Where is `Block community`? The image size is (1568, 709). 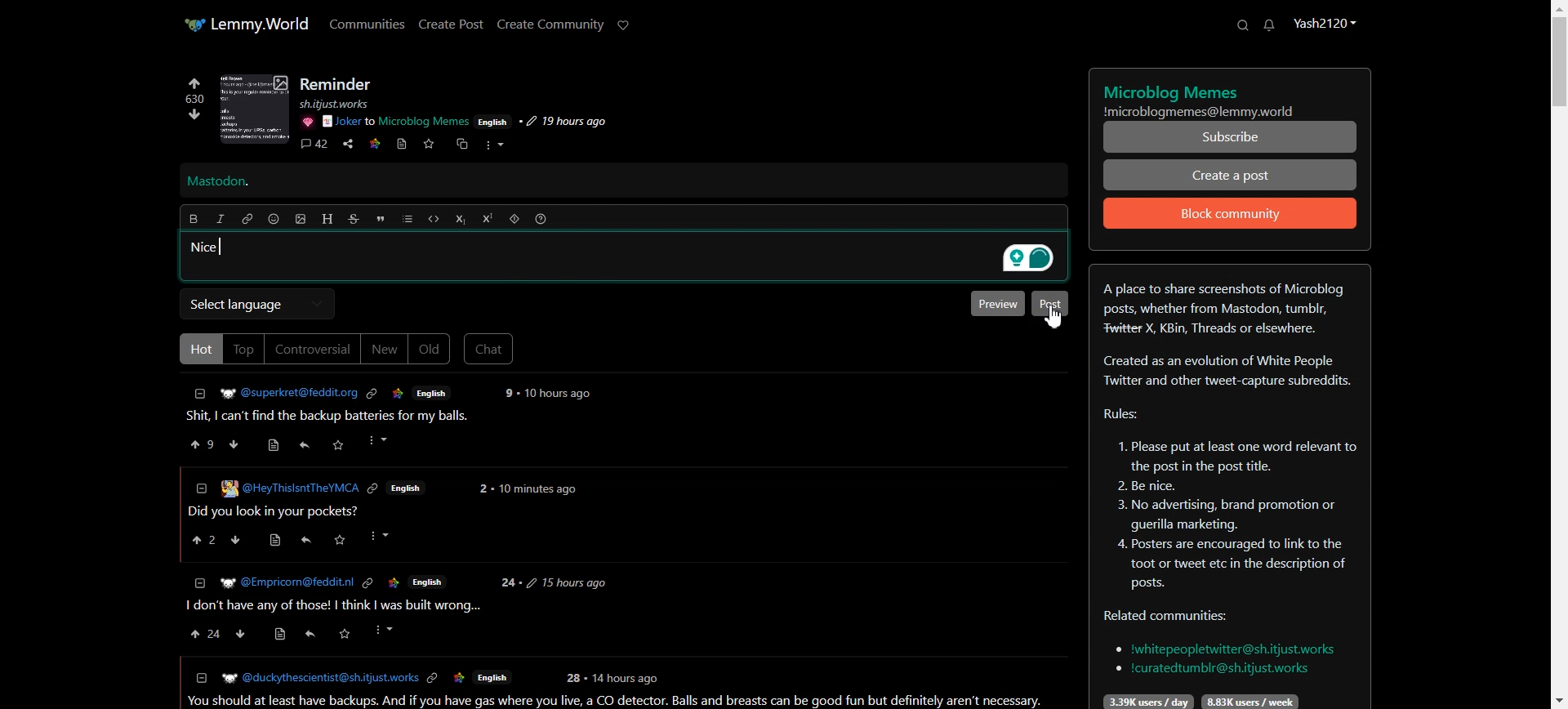 Block community is located at coordinates (1231, 213).